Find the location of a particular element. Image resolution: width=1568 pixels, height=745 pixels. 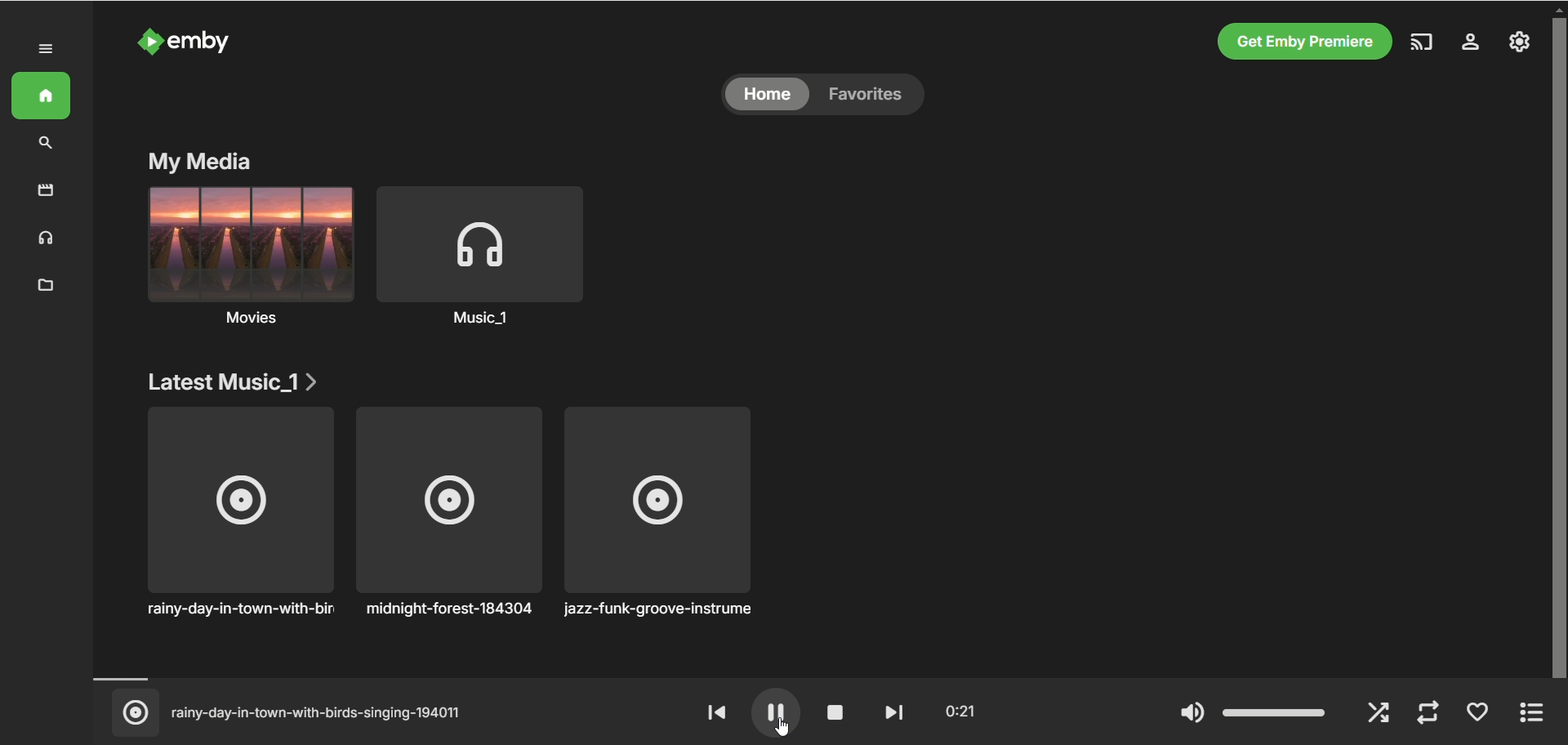

home is located at coordinates (42, 96).